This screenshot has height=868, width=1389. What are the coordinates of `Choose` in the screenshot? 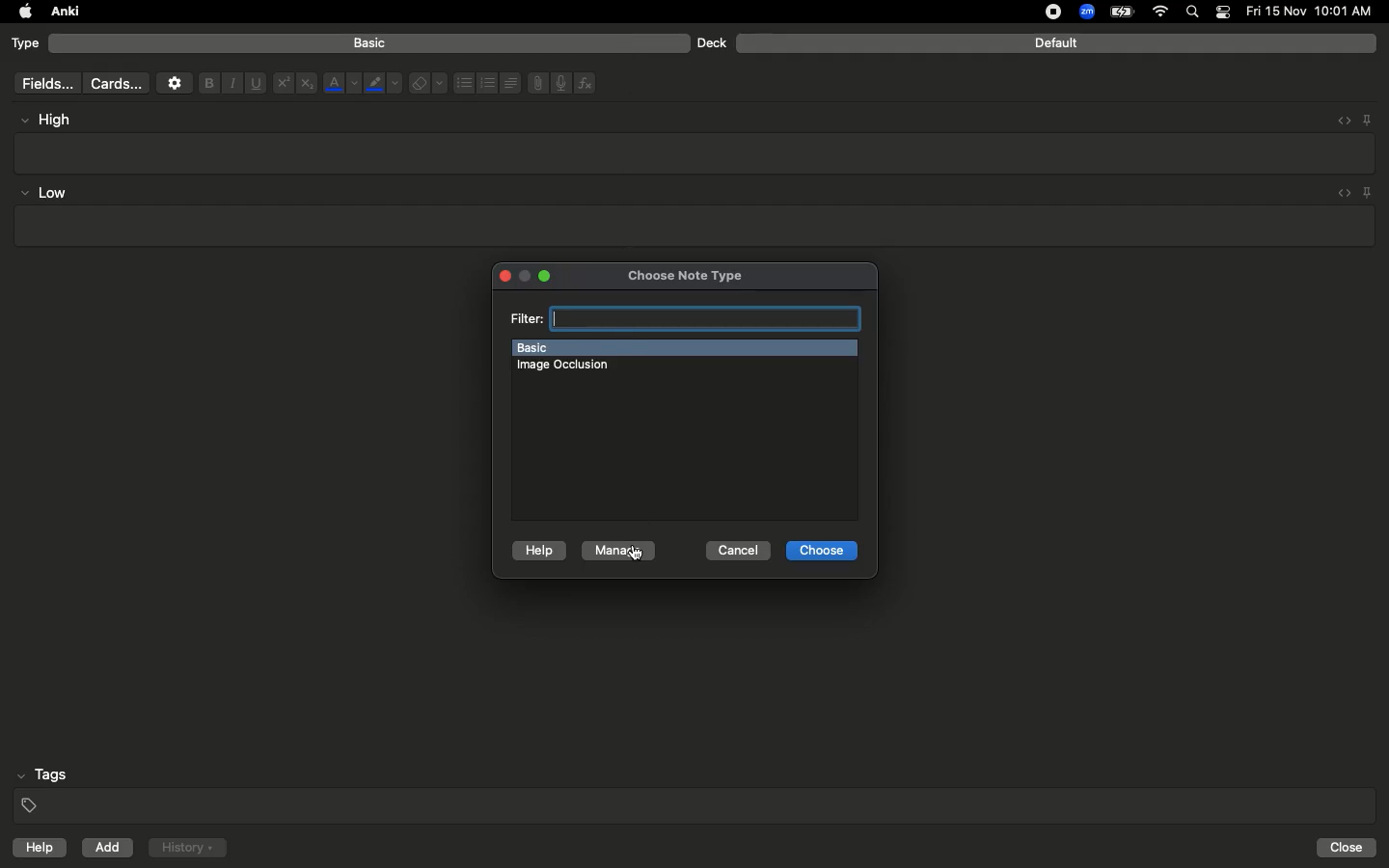 It's located at (823, 551).